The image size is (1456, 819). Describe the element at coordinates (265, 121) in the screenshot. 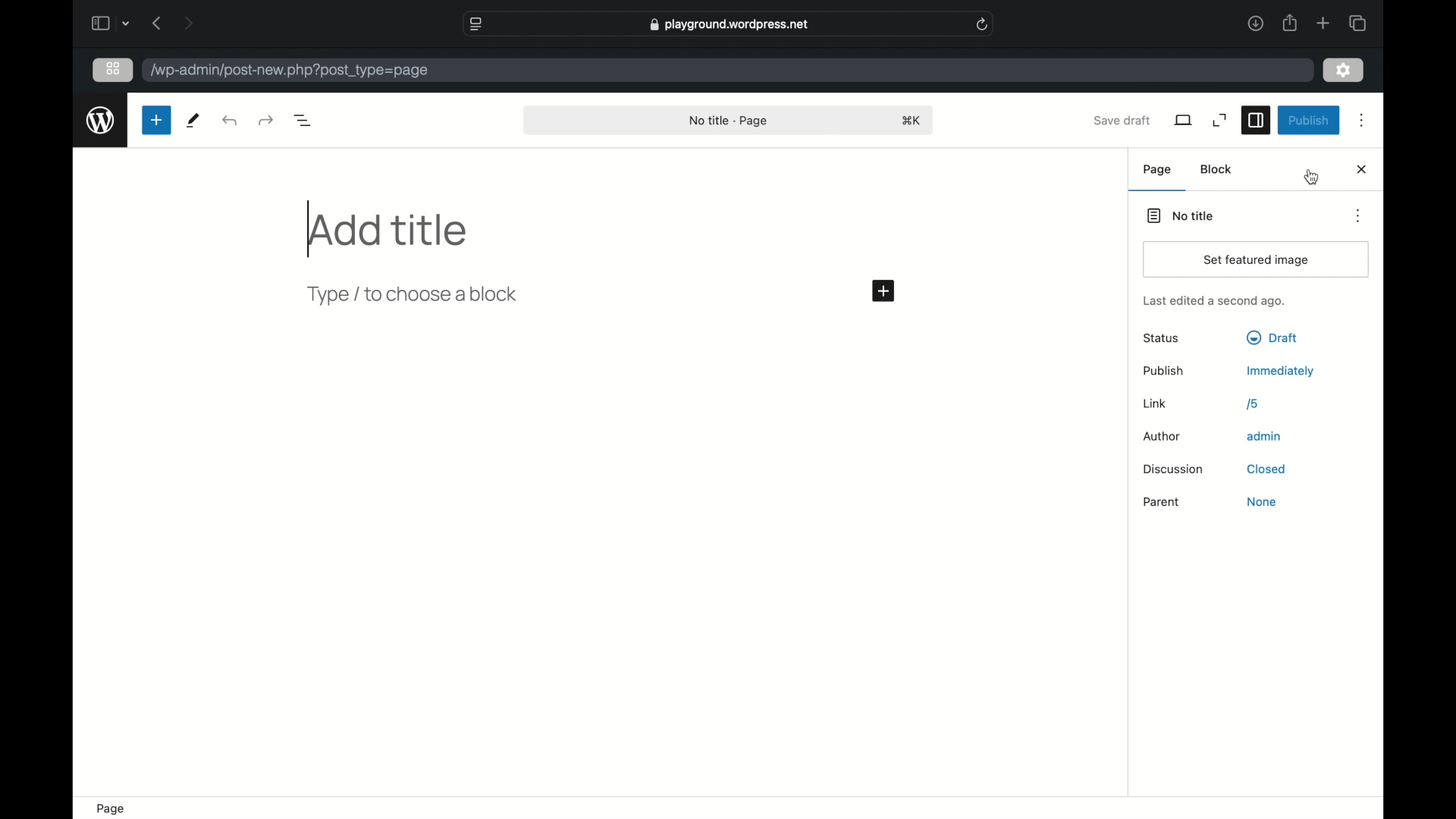

I see `undo` at that location.